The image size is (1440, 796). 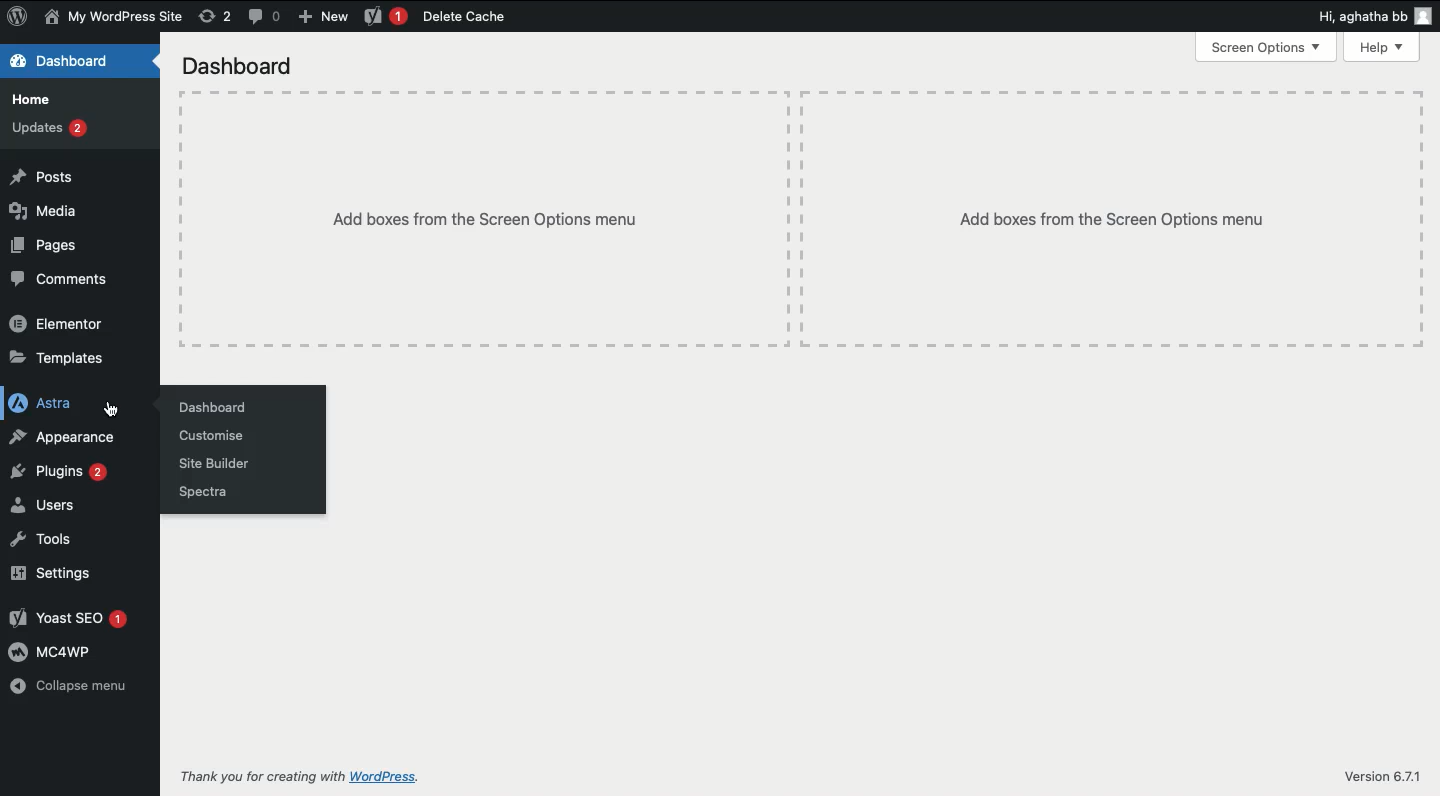 I want to click on Customize, so click(x=215, y=435).